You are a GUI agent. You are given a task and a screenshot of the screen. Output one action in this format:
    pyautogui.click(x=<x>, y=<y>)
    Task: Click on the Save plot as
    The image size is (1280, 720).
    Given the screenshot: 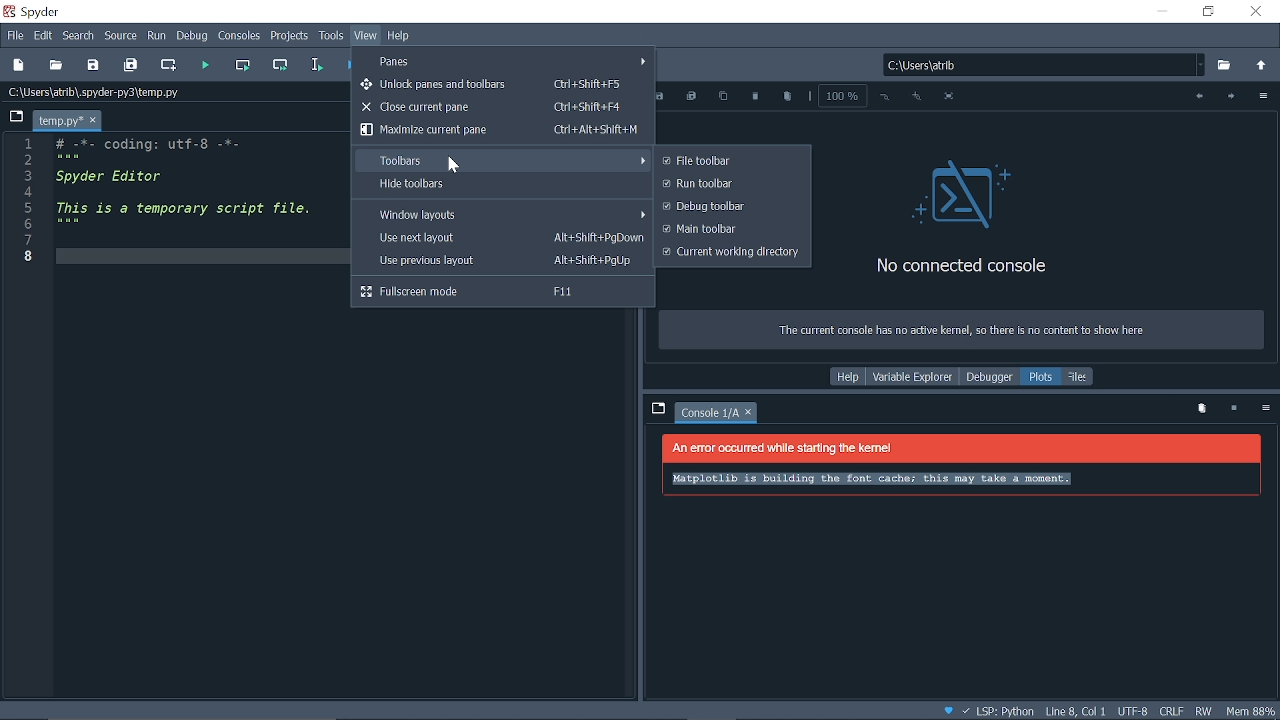 What is the action you would take?
    pyautogui.click(x=661, y=97)
    